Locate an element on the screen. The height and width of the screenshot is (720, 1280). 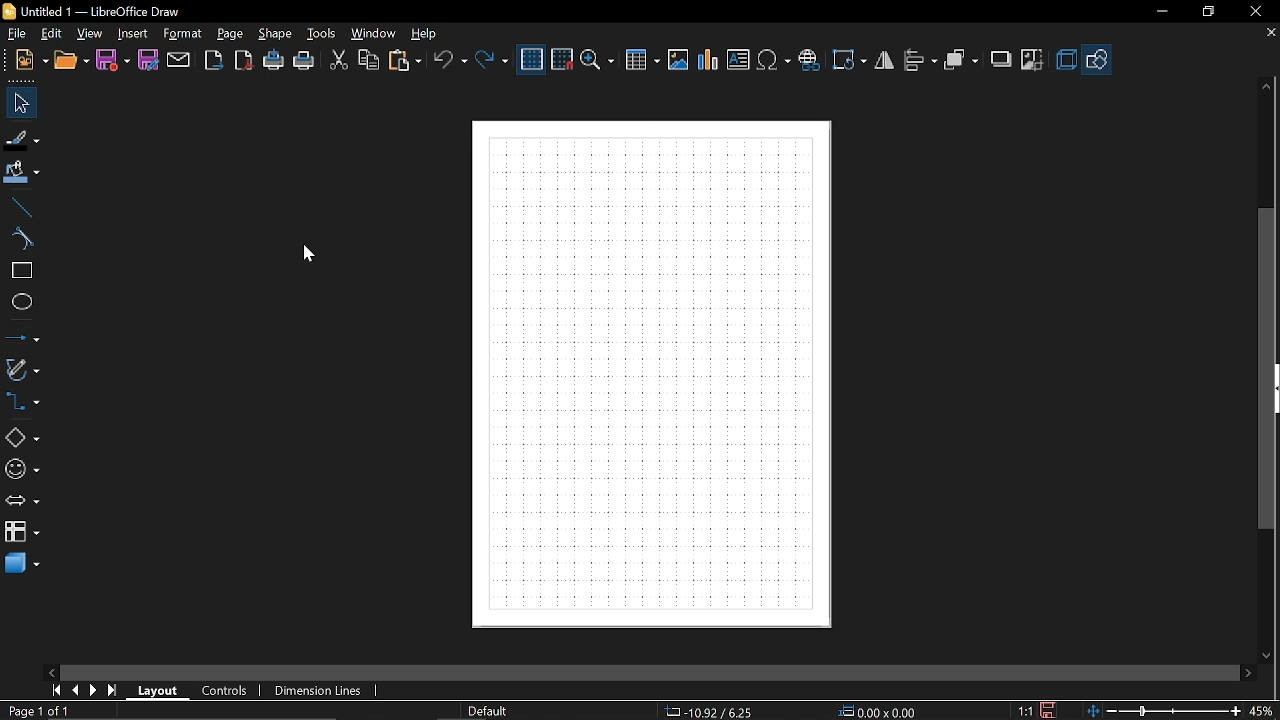
Cursor is located at coordinates (307, 255).